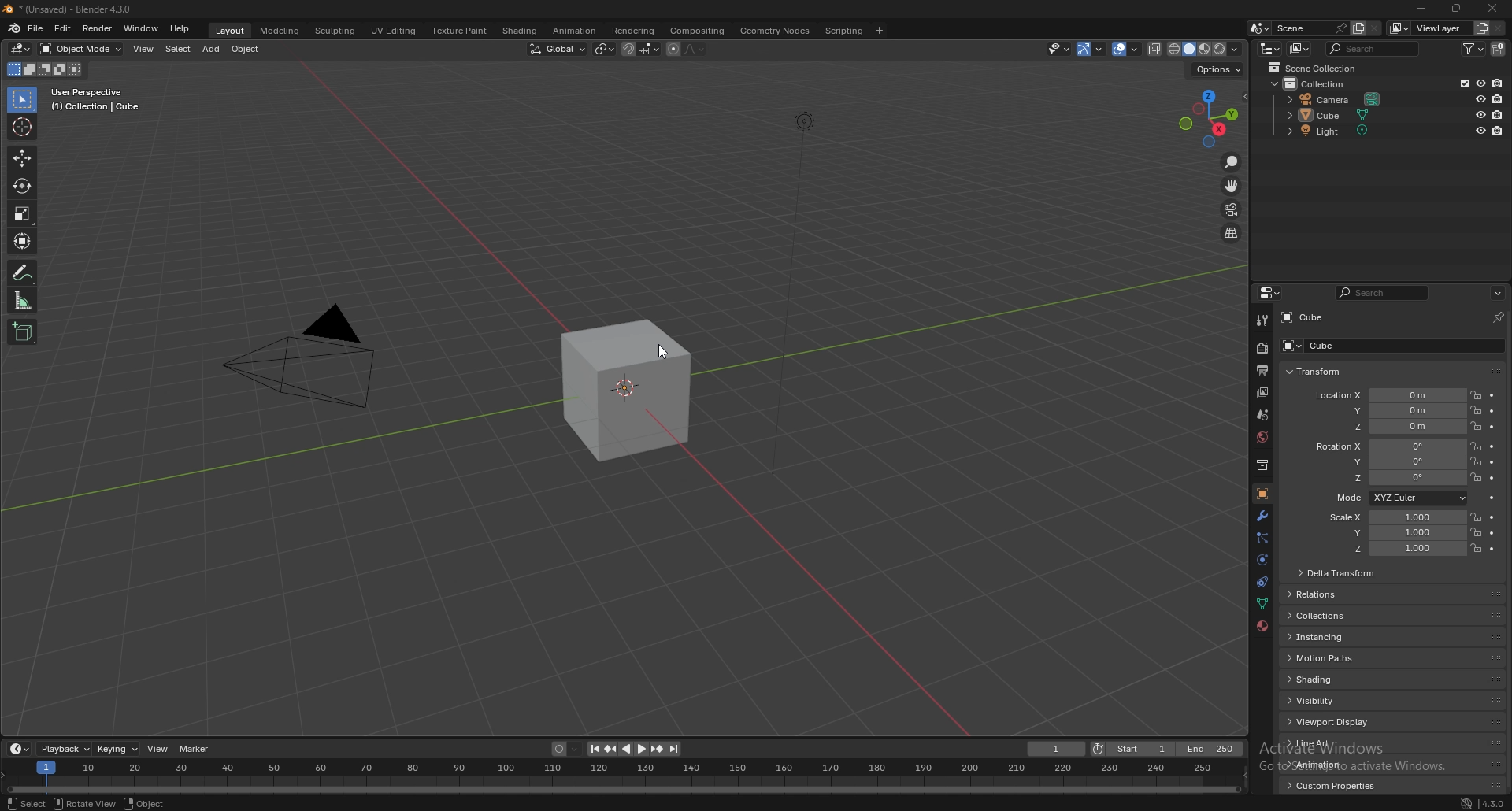  Describe the element at coordinates (1478, 131) in the screenshot. I see `hide in viewport` at that location.